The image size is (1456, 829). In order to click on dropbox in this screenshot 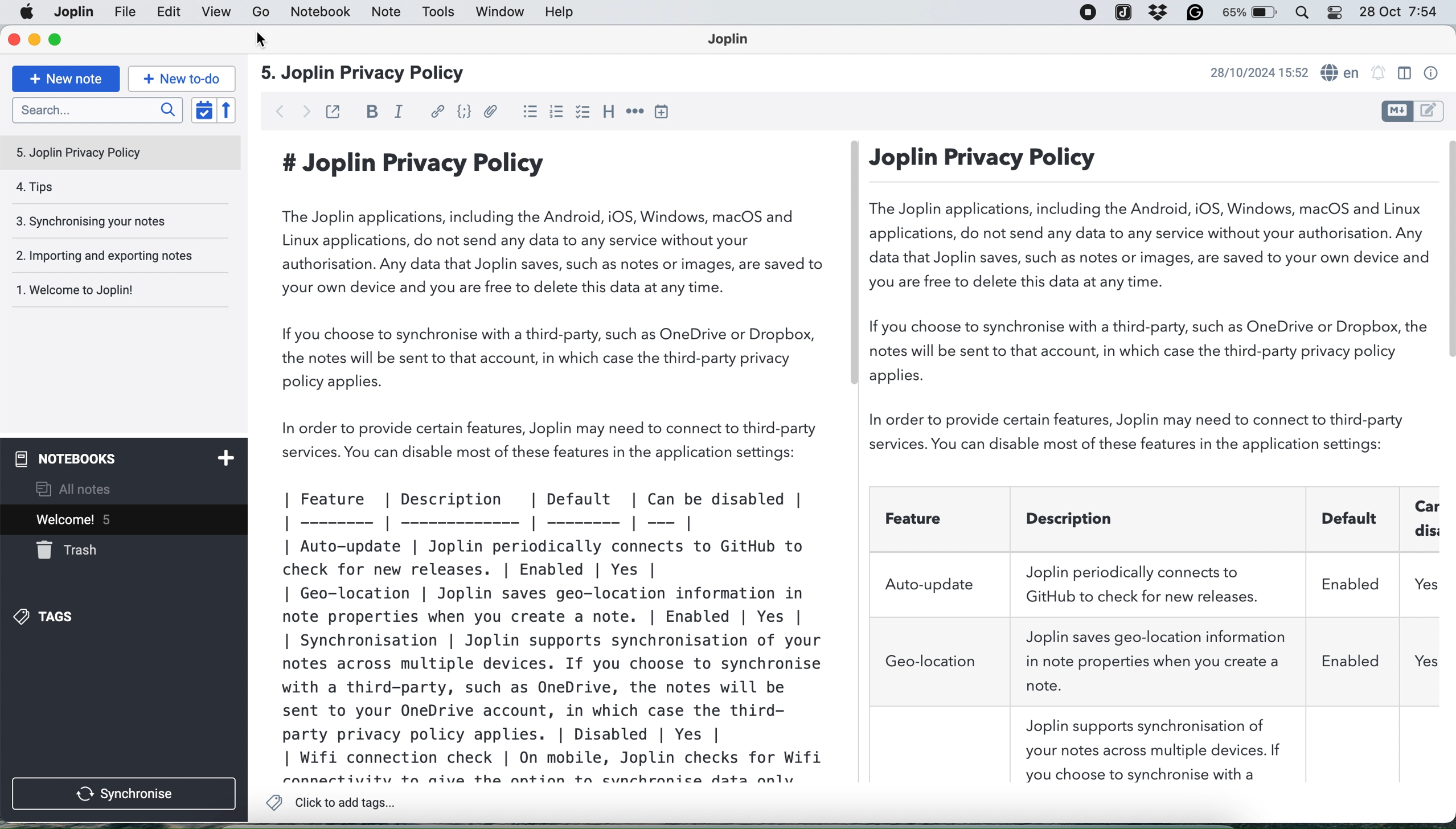, I will do `click(1155, 13)`.